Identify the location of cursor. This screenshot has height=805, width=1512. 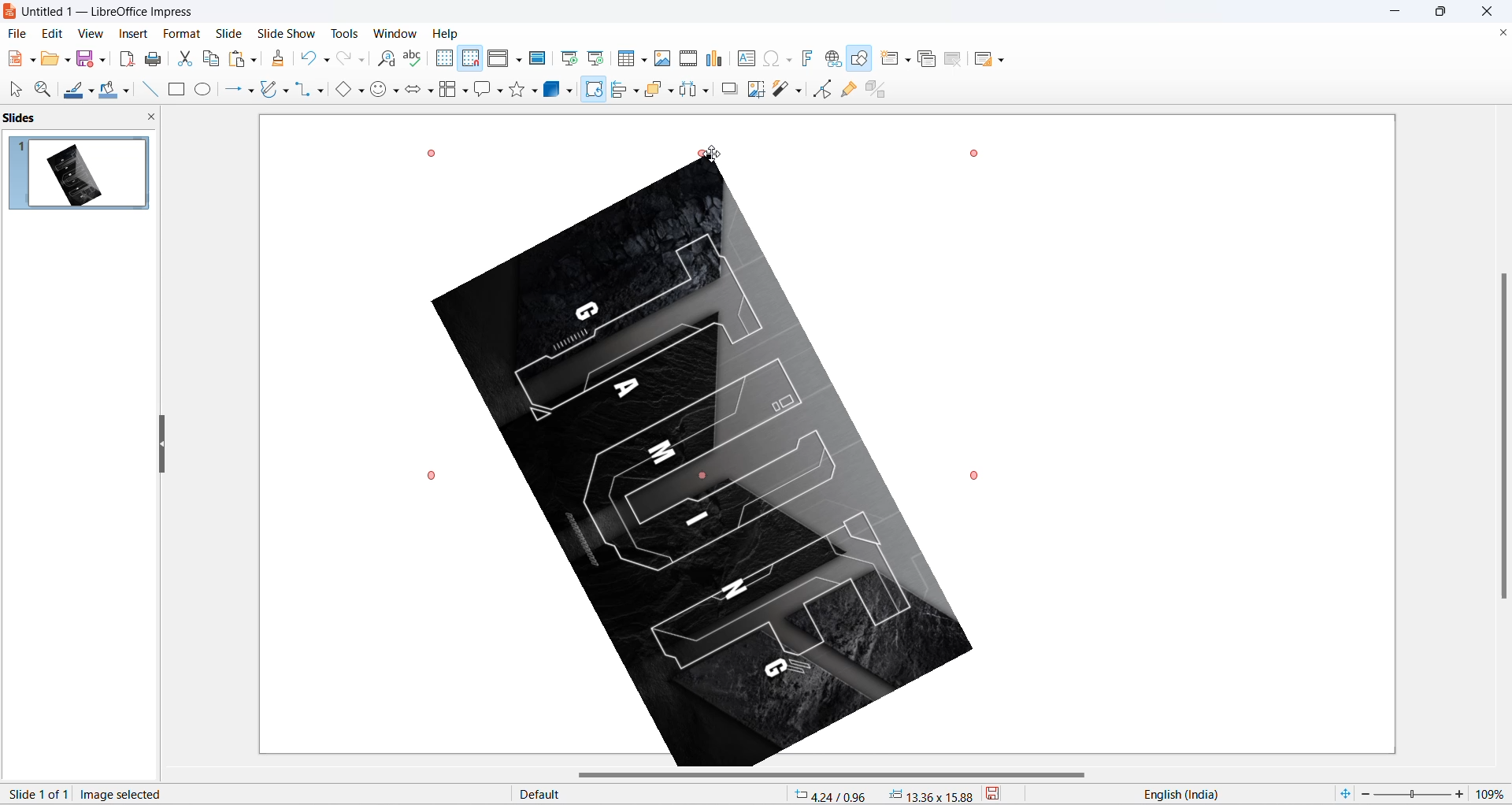
(594, 84).